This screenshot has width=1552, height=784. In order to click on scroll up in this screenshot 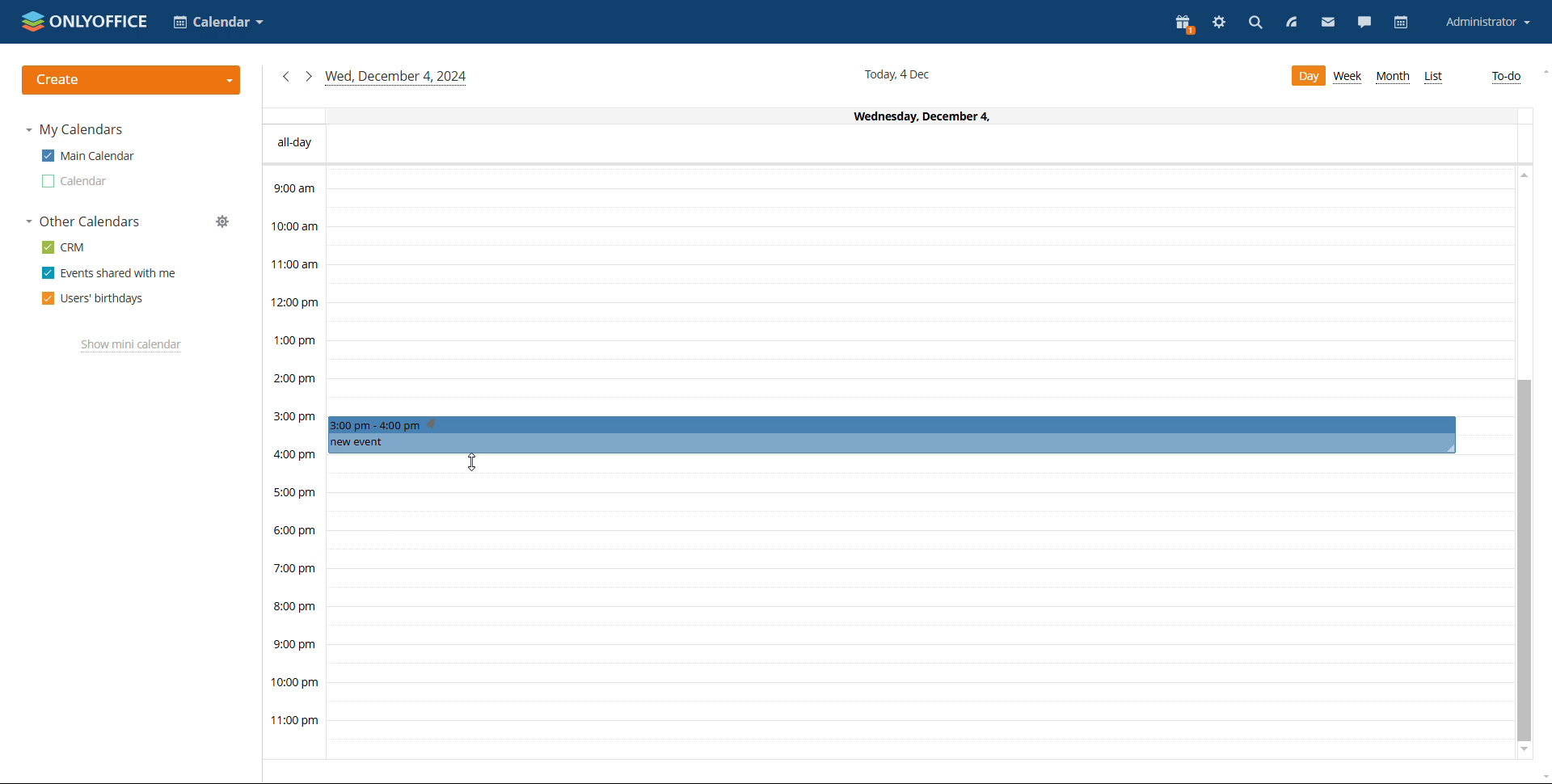, I will do `click(1522, 178)`.